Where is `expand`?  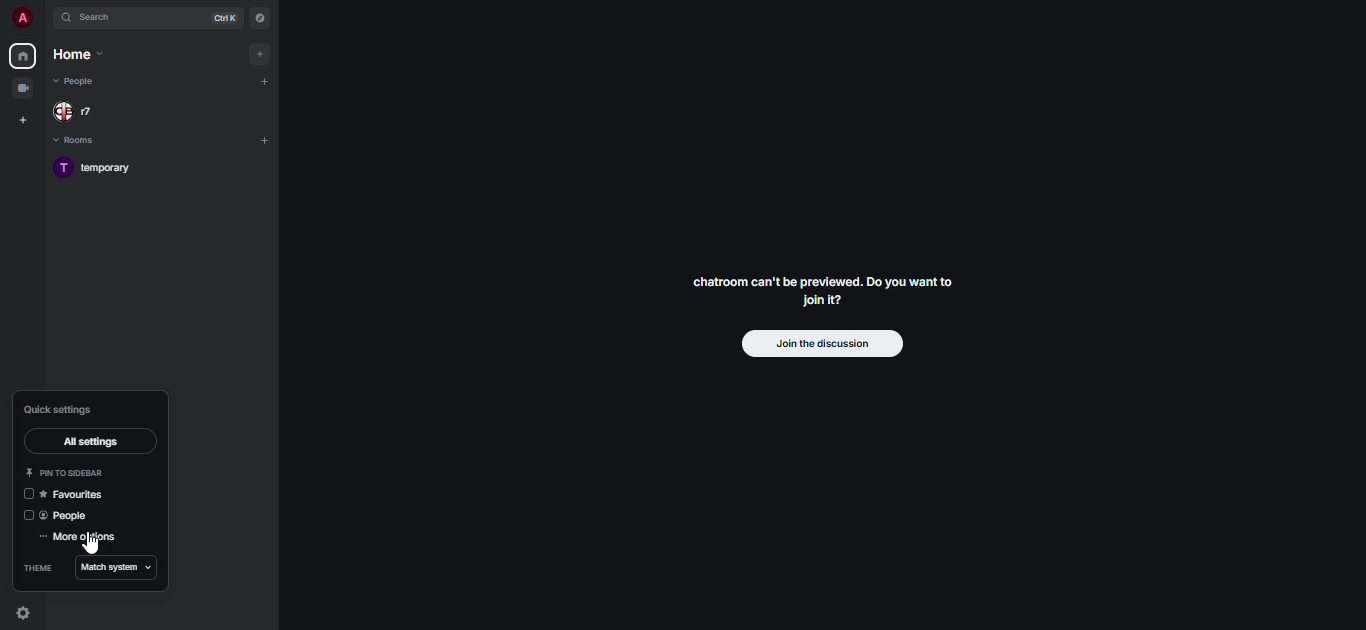
expand is located at coordinates (45, 17).